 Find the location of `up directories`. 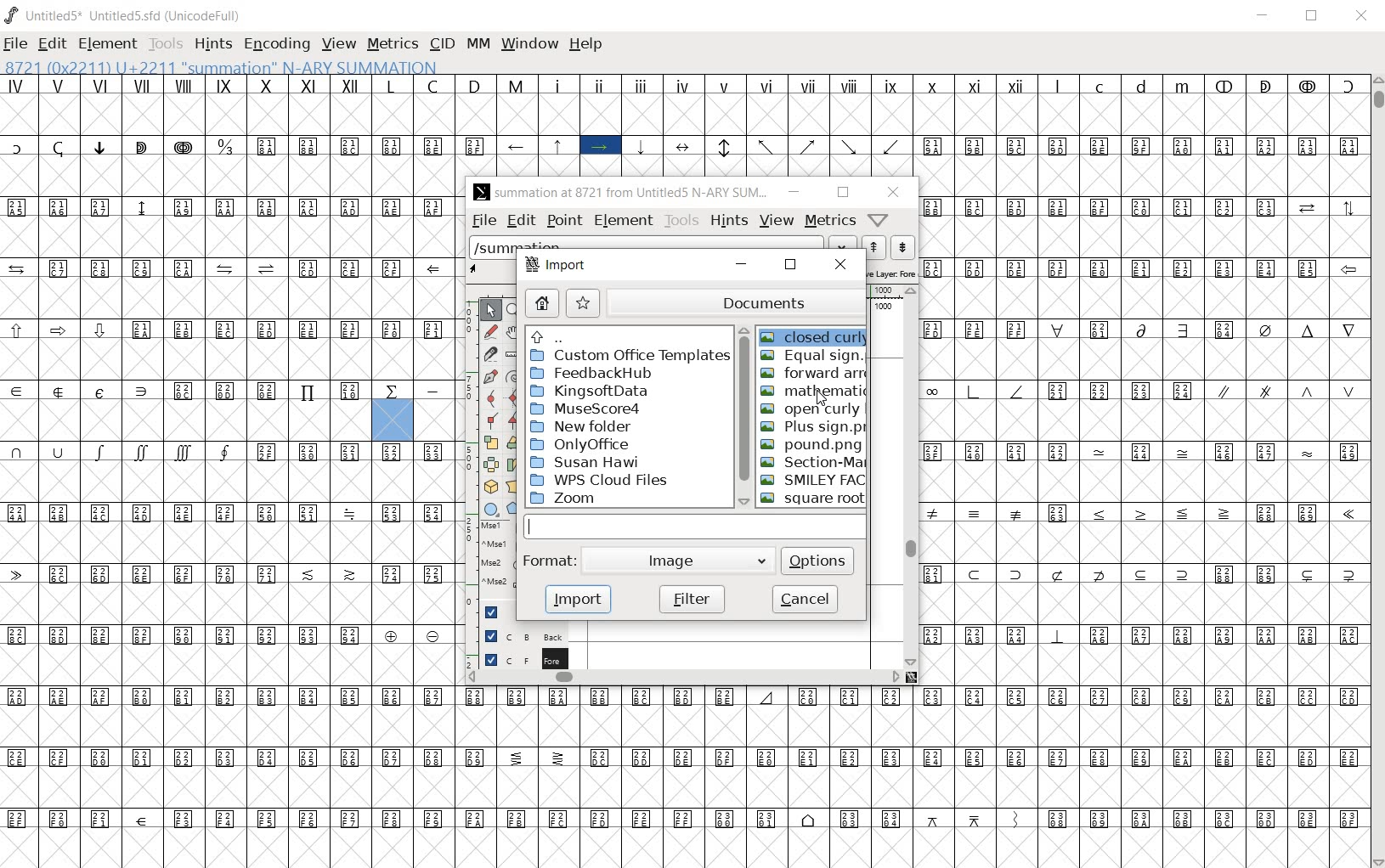

up directories is located at coordinates (630, 336).